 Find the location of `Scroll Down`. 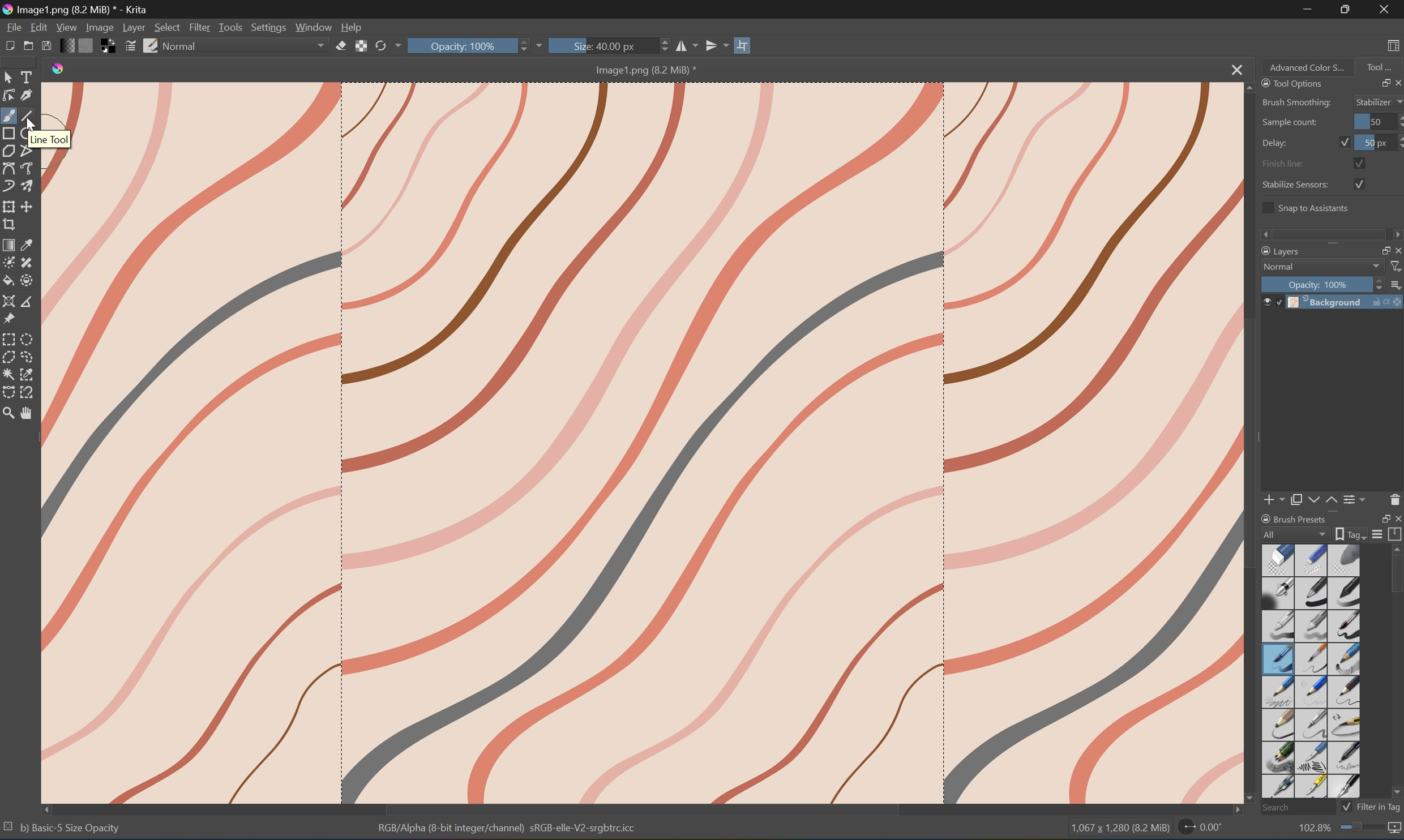

Scroll Down is located at coordinates (1395, 792).